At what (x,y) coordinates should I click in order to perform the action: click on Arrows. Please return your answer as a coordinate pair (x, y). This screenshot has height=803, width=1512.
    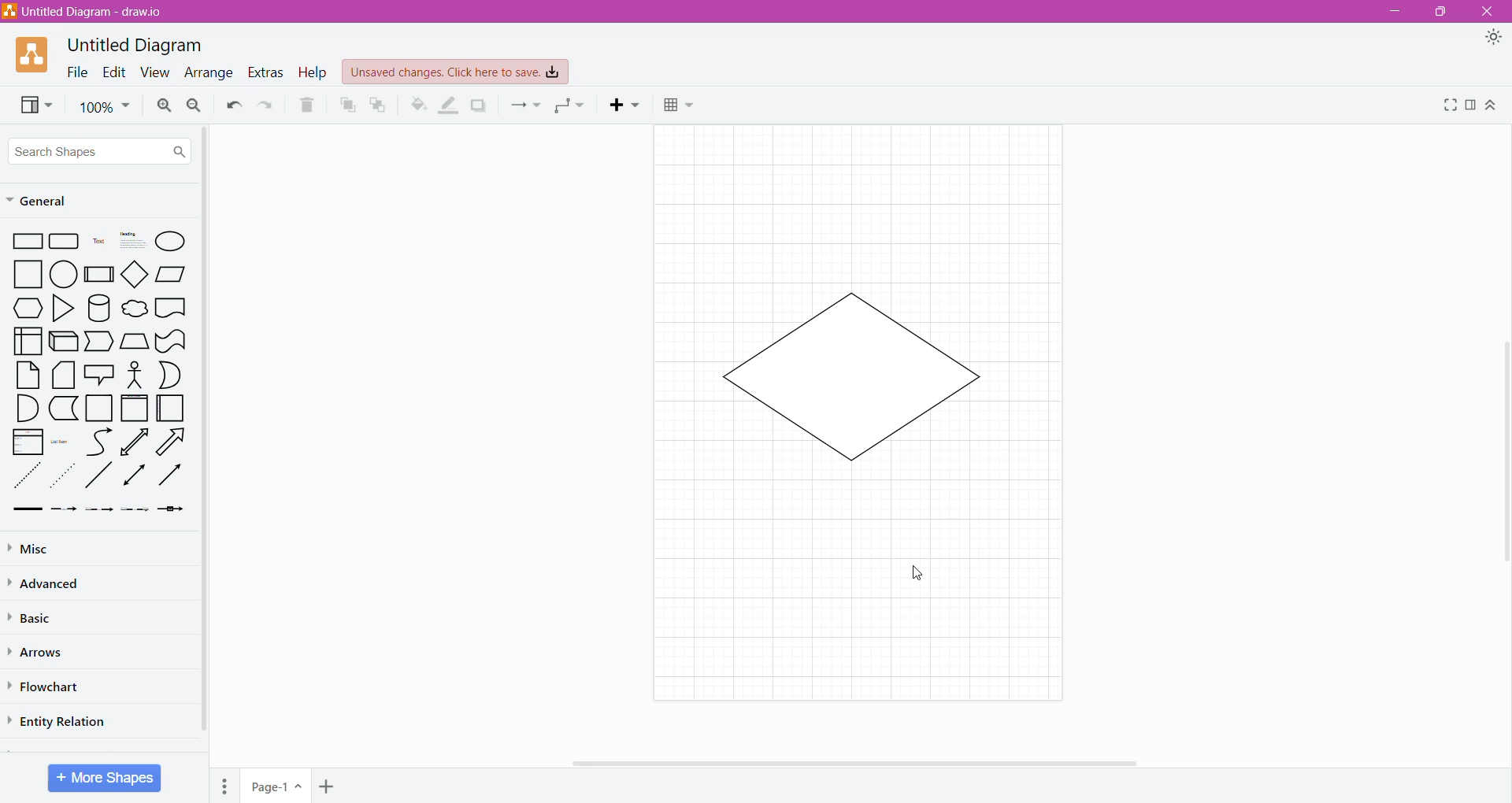
    Looking at the image, I should click on (39, 653).